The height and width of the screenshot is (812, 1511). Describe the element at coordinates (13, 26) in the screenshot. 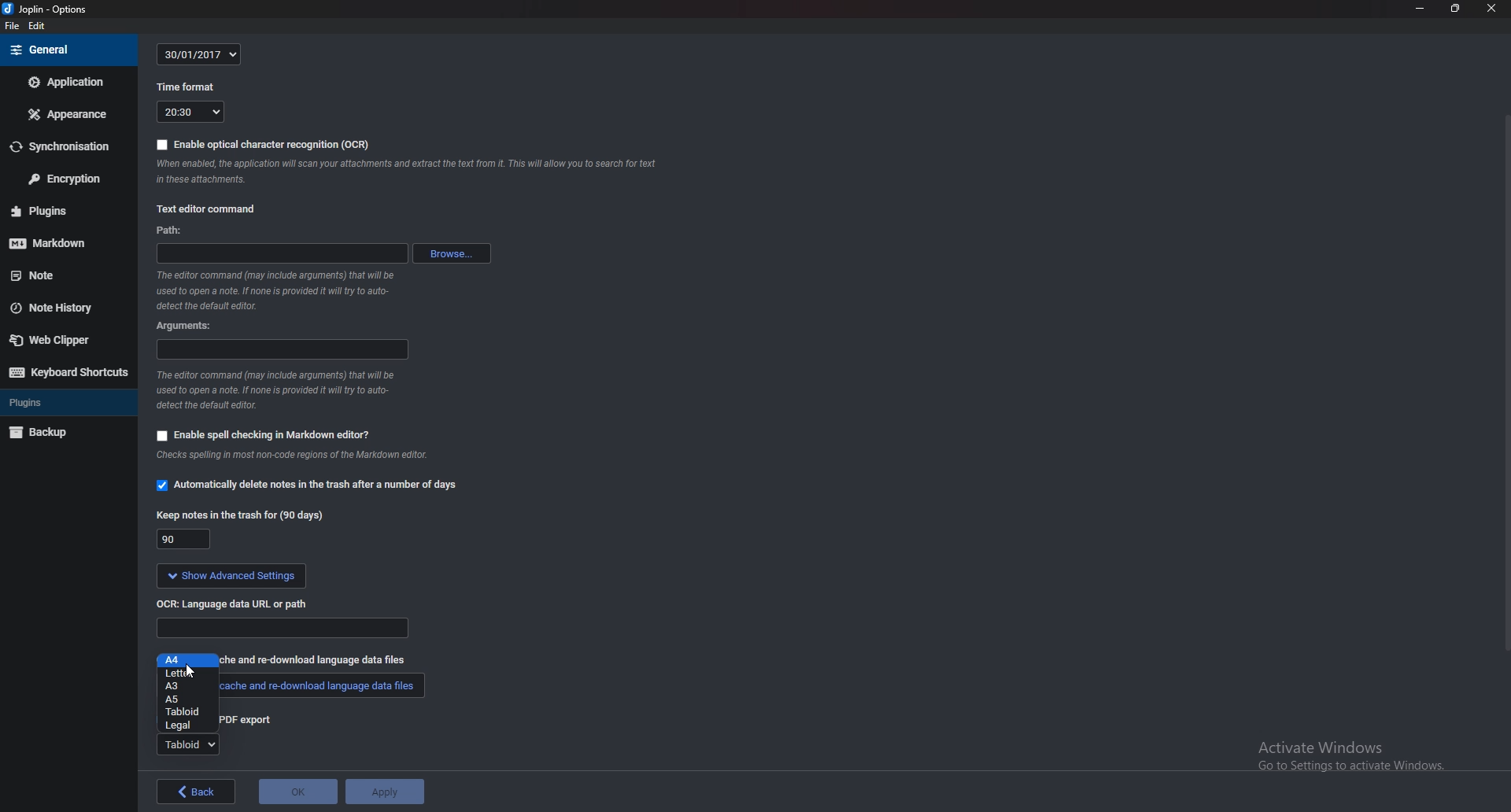

I see `file` at that location.